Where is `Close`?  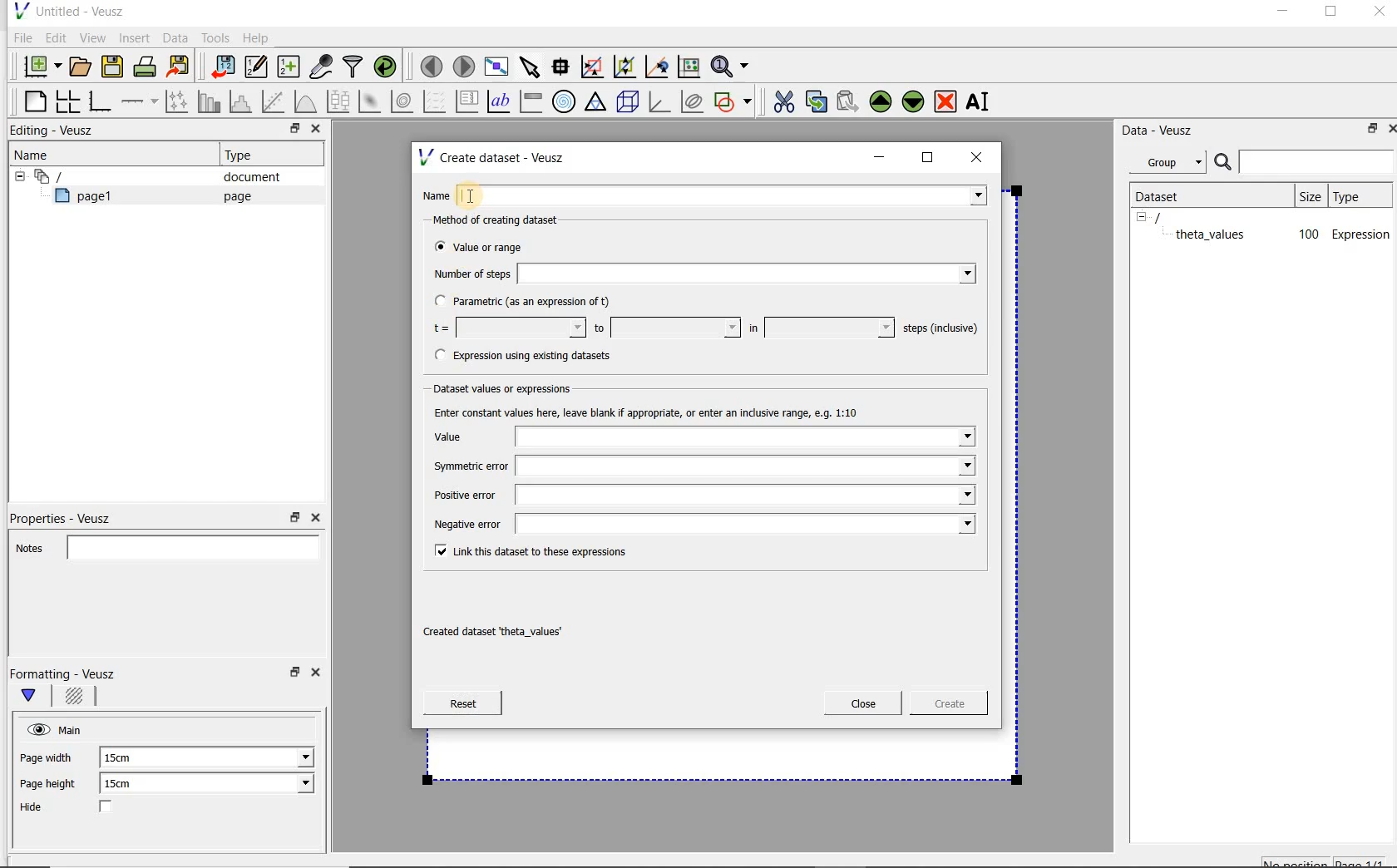 Close is located at coordinates (1389, 127).